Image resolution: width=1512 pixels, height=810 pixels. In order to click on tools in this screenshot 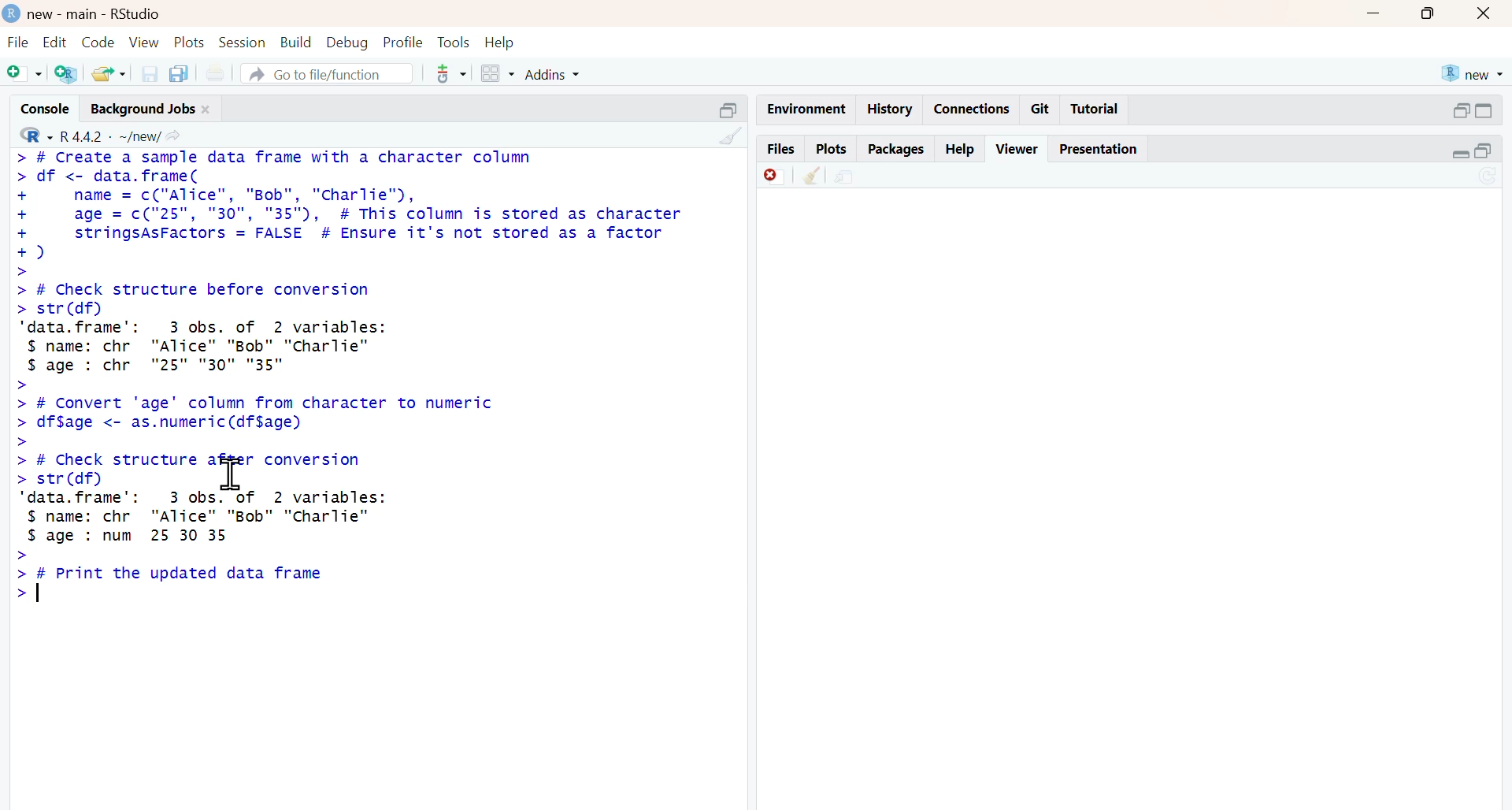, I will do `click(457, 43)`.